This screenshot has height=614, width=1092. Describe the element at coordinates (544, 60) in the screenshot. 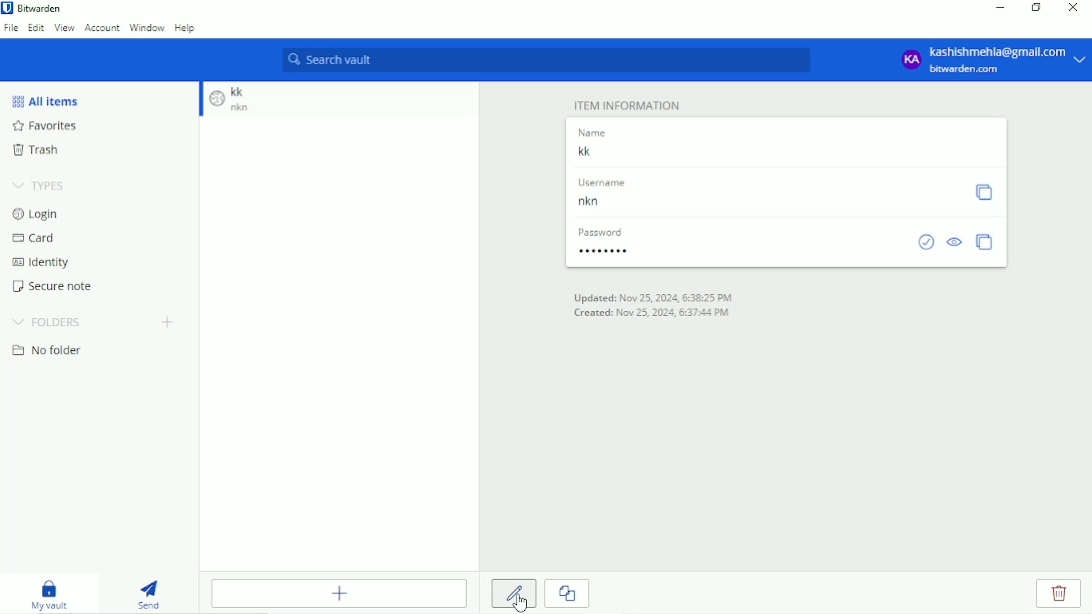

I see `Search vault` at that location.